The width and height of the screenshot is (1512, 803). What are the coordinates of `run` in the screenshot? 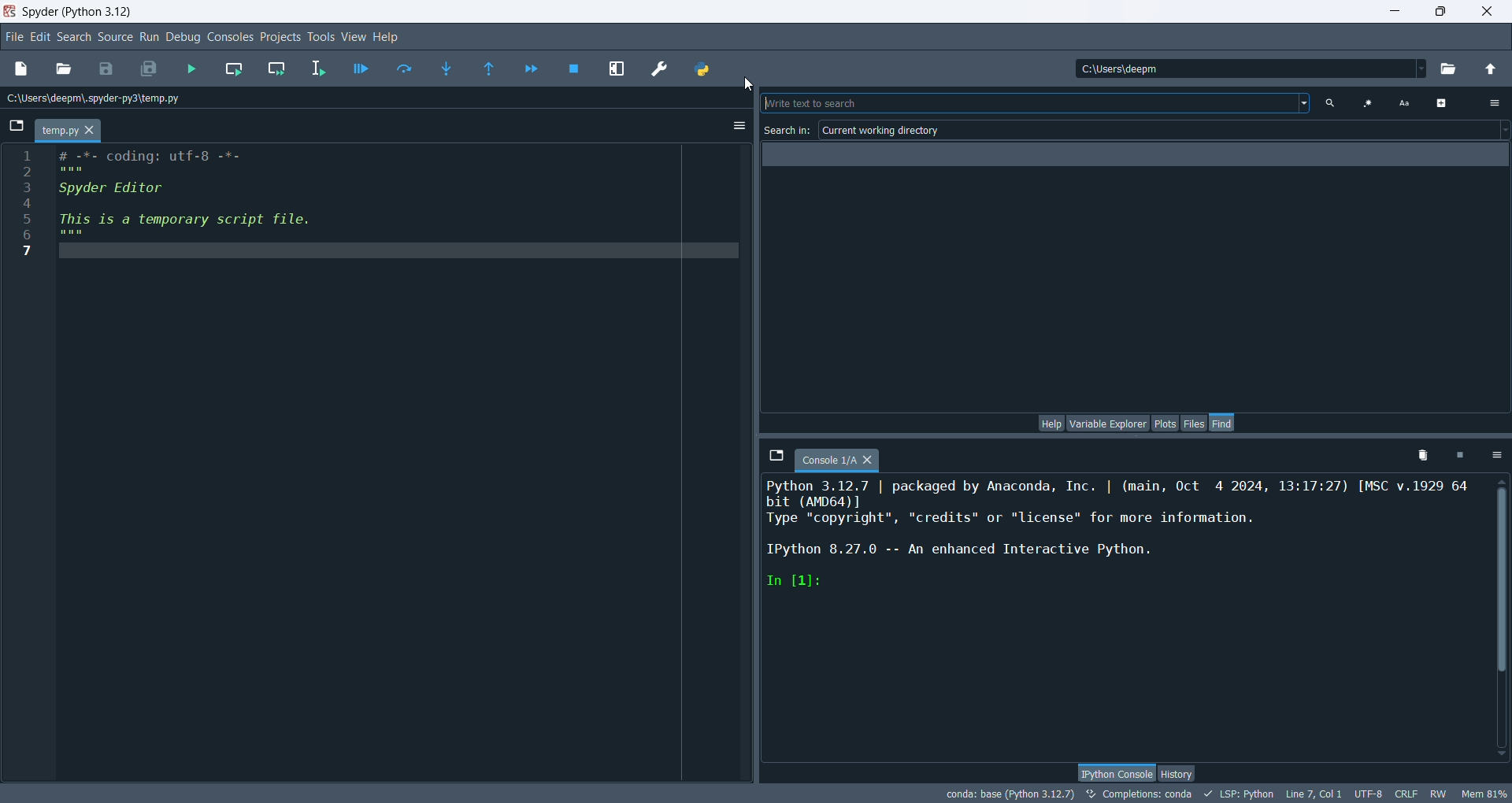 It's located at (150, 39).